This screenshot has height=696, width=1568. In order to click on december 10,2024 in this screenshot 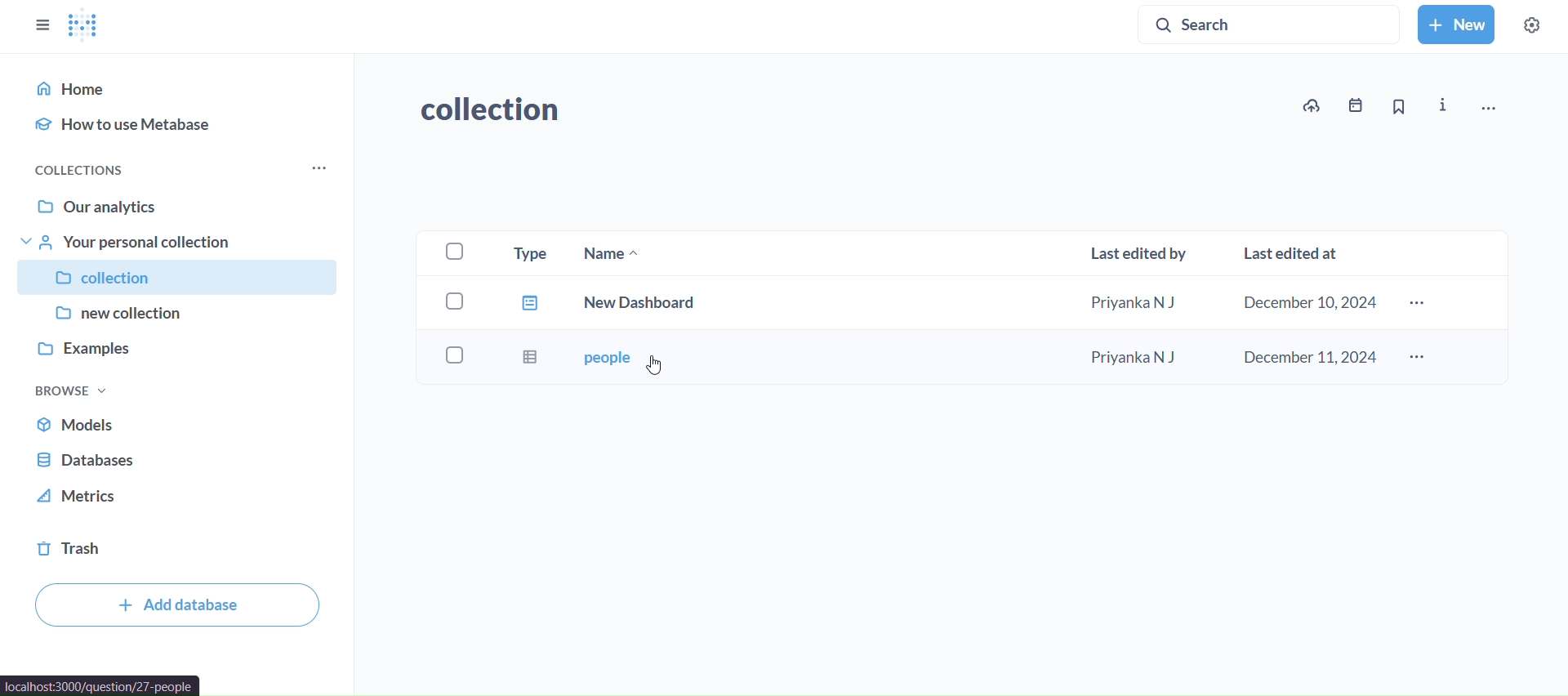, I will do `click(1298, 302)`.